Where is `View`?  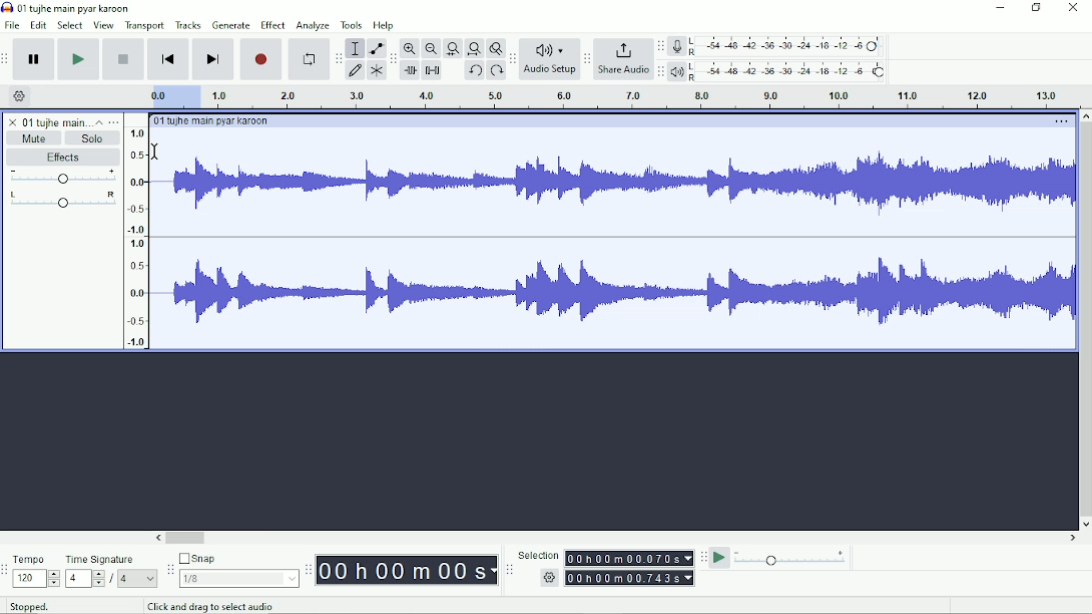
View is located at coordinates (103, 25).